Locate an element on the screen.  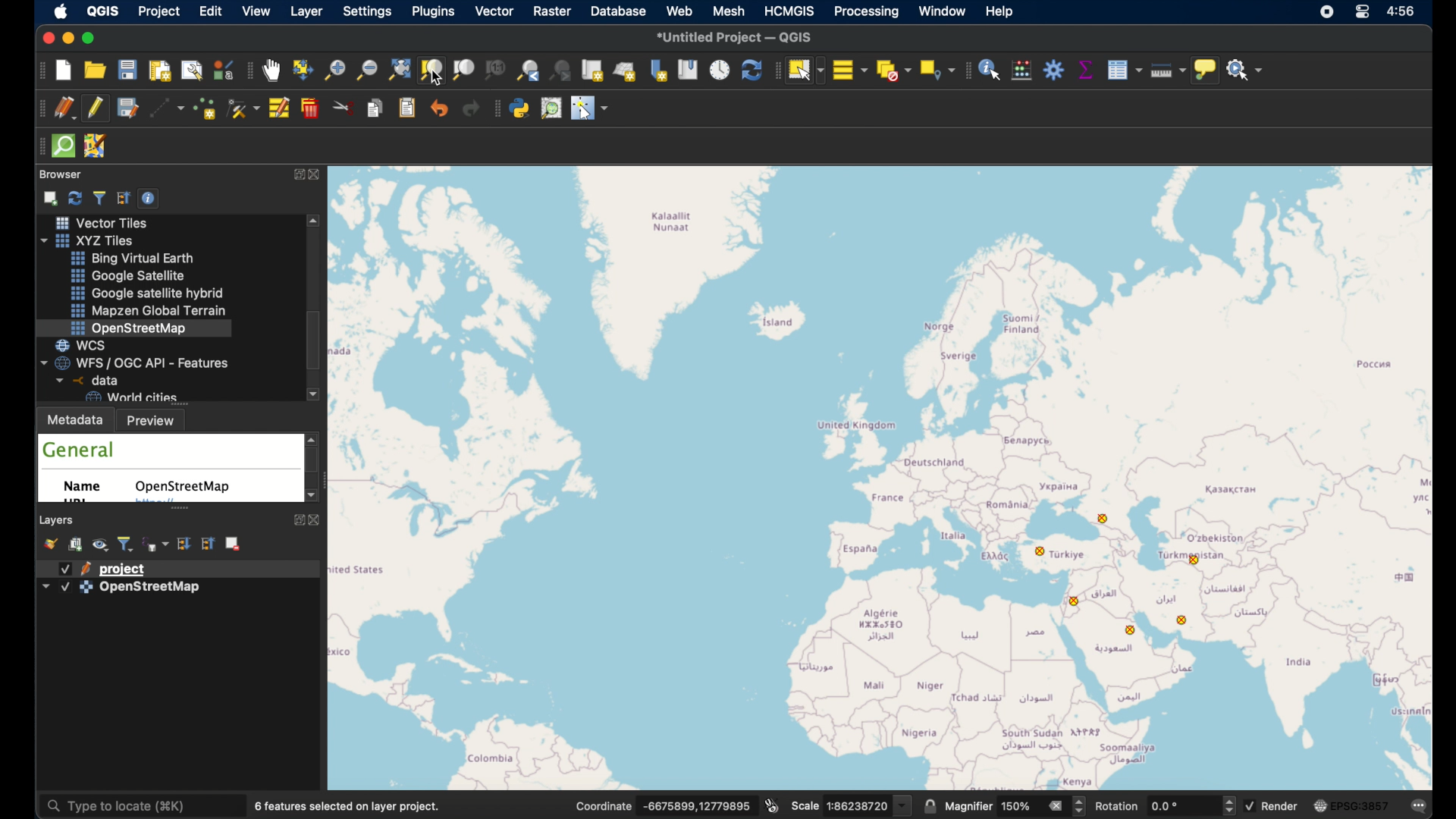
filter legend by expression is located at coordinates (156, 543).